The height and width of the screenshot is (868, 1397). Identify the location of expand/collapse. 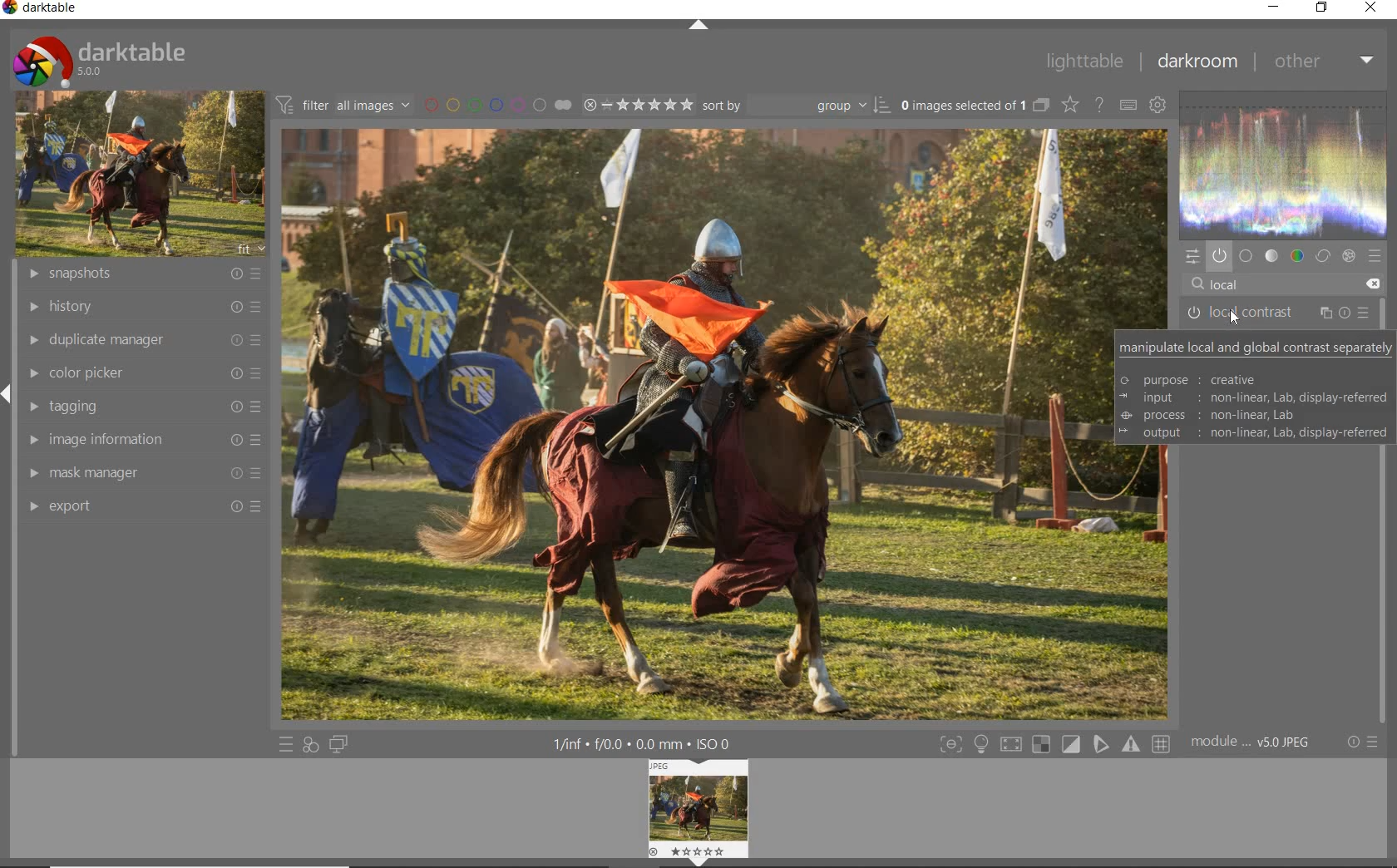
(698, 24).